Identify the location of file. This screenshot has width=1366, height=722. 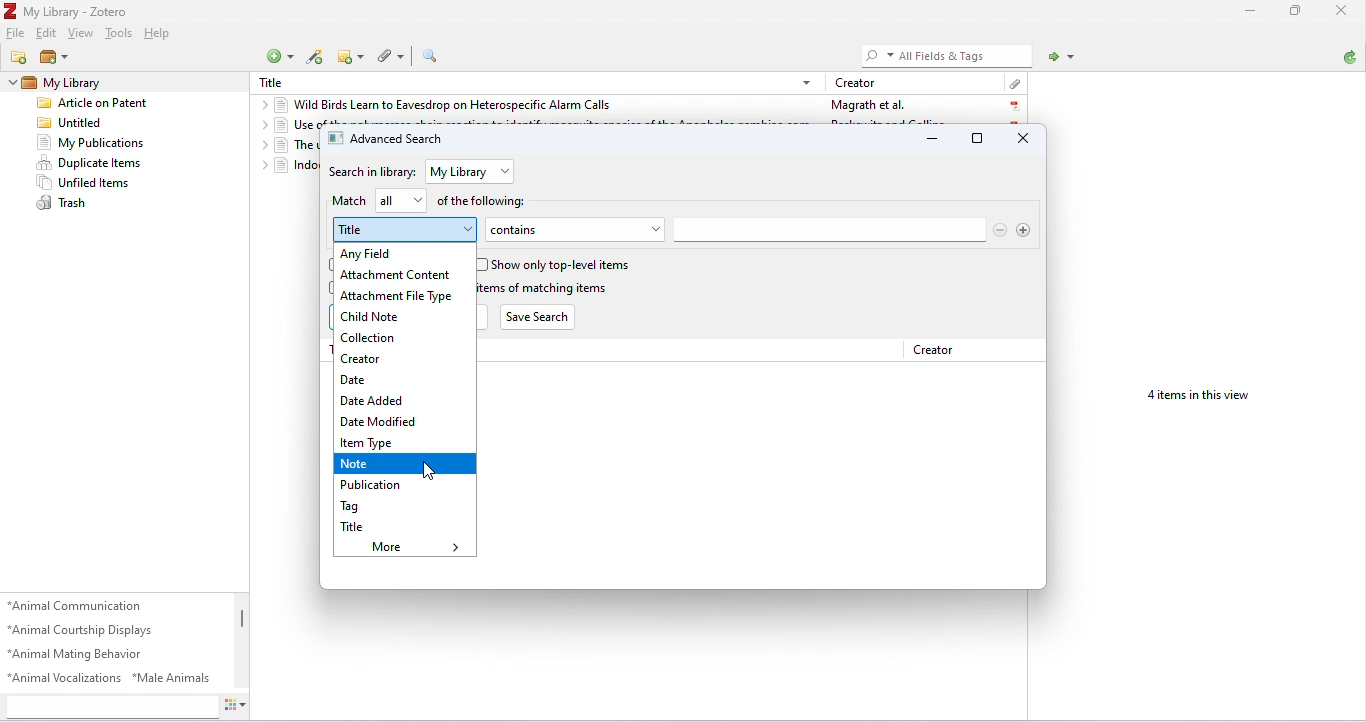
(16, 32).